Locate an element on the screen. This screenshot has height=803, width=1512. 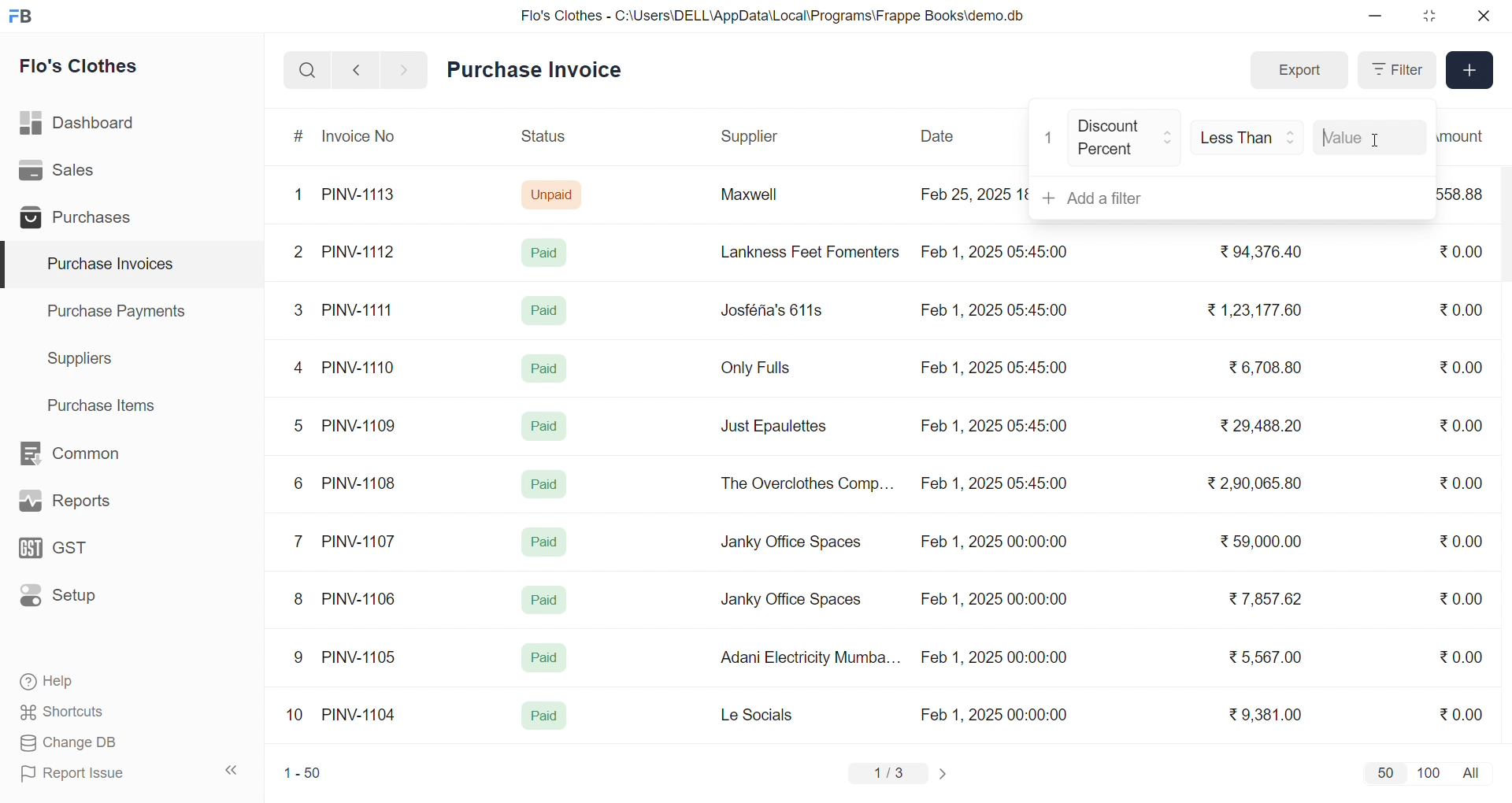
₹558.88 is located at coordinates (1466, 194).